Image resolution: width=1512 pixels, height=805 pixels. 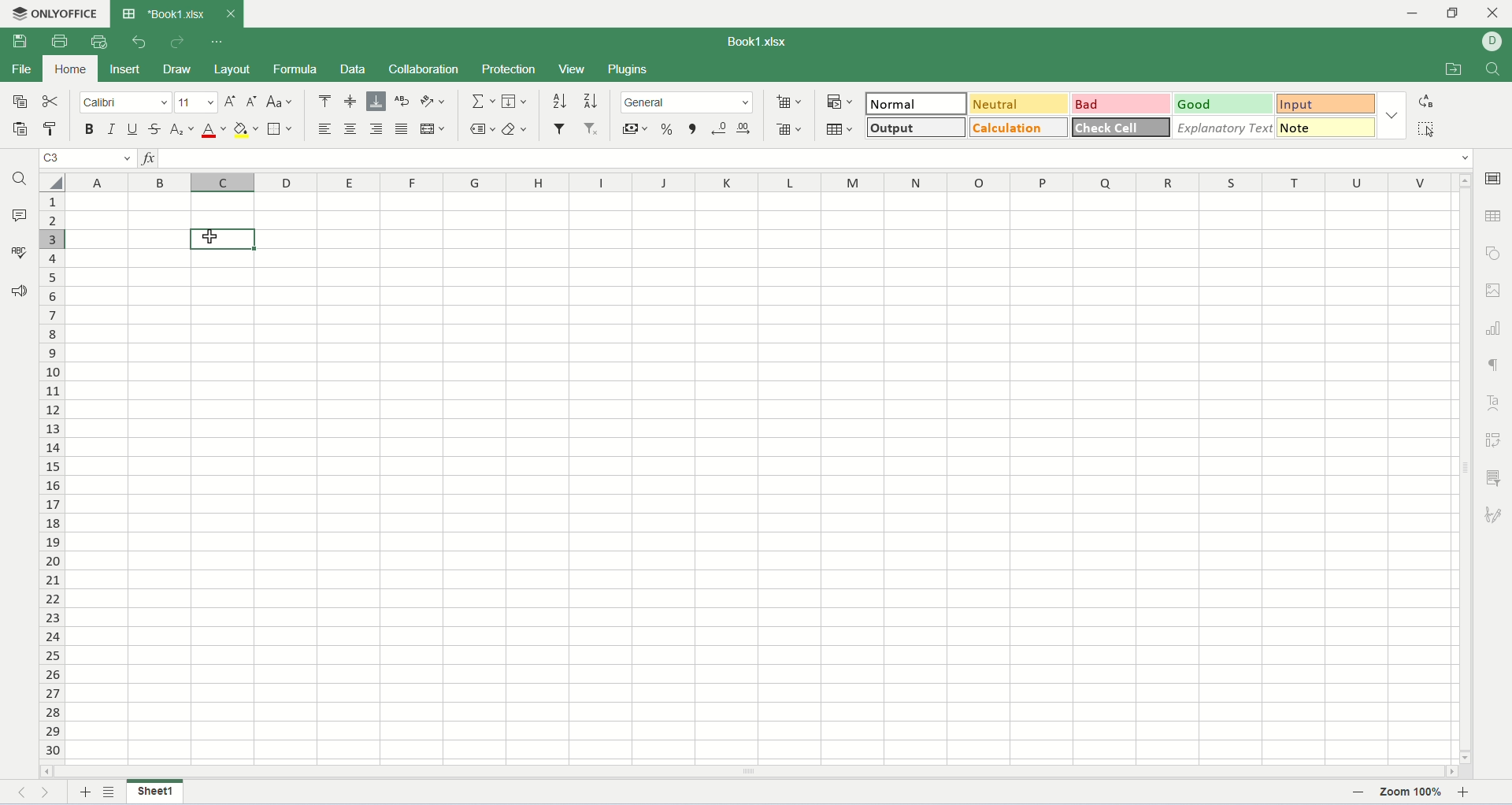 What do you see at coordinates (817, 157) in the screenshot?
I see `input line` at bounding box center [817, 157].